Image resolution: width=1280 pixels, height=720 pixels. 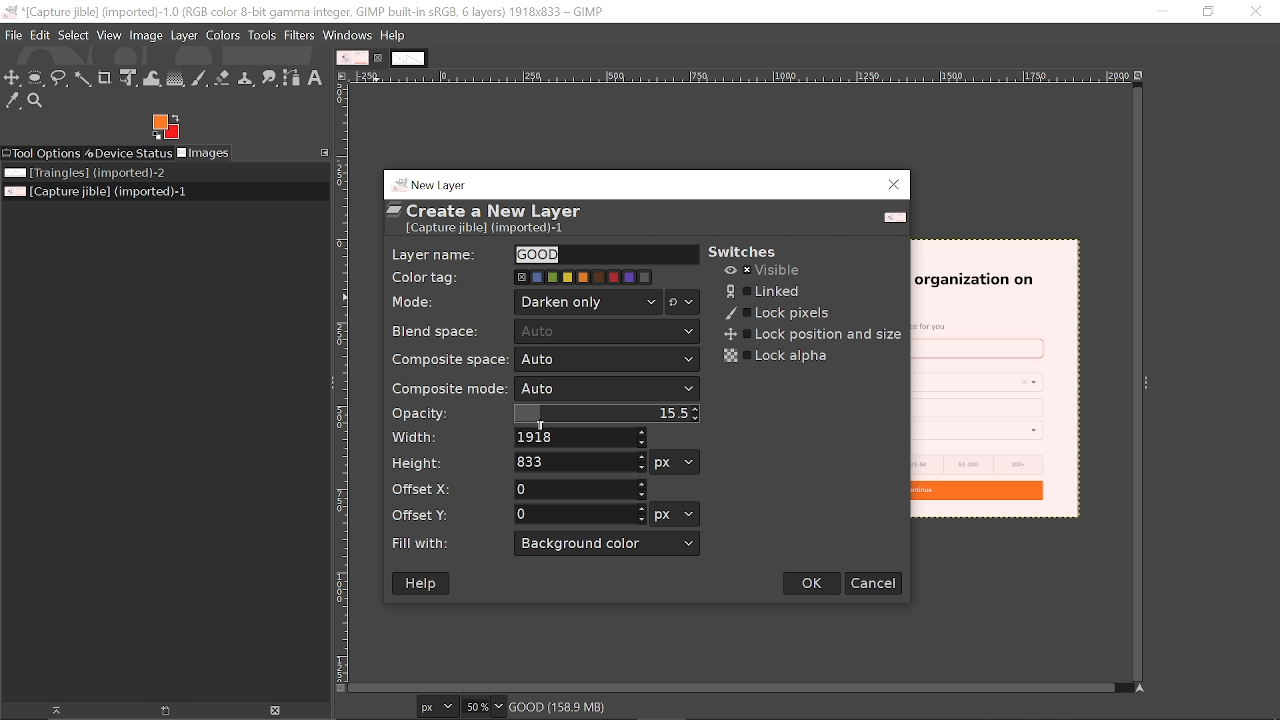 I want to click on Composite mode, so click(x=608, y=390).